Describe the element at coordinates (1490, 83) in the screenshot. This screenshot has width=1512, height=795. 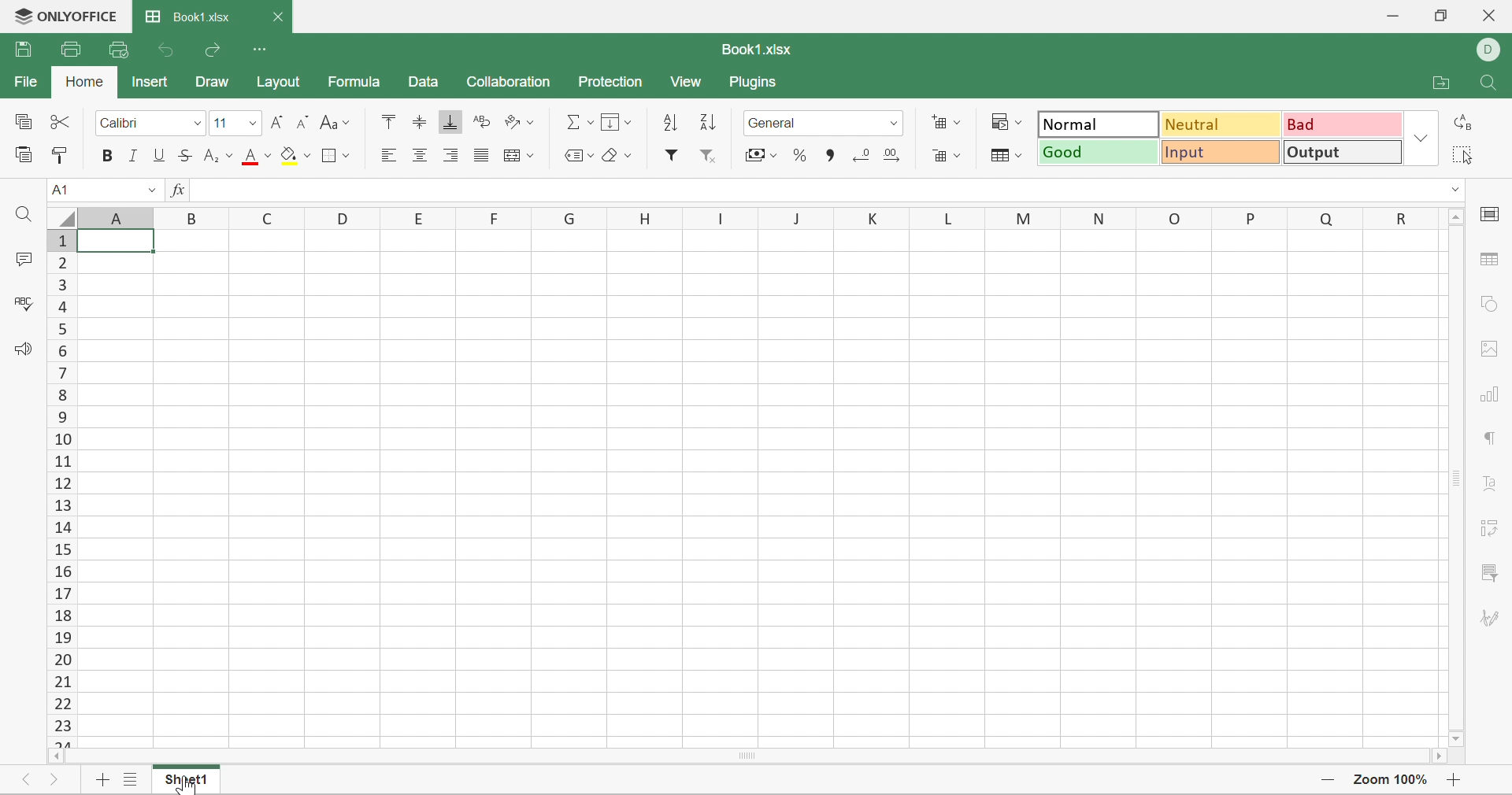
I see `Find` at that location.